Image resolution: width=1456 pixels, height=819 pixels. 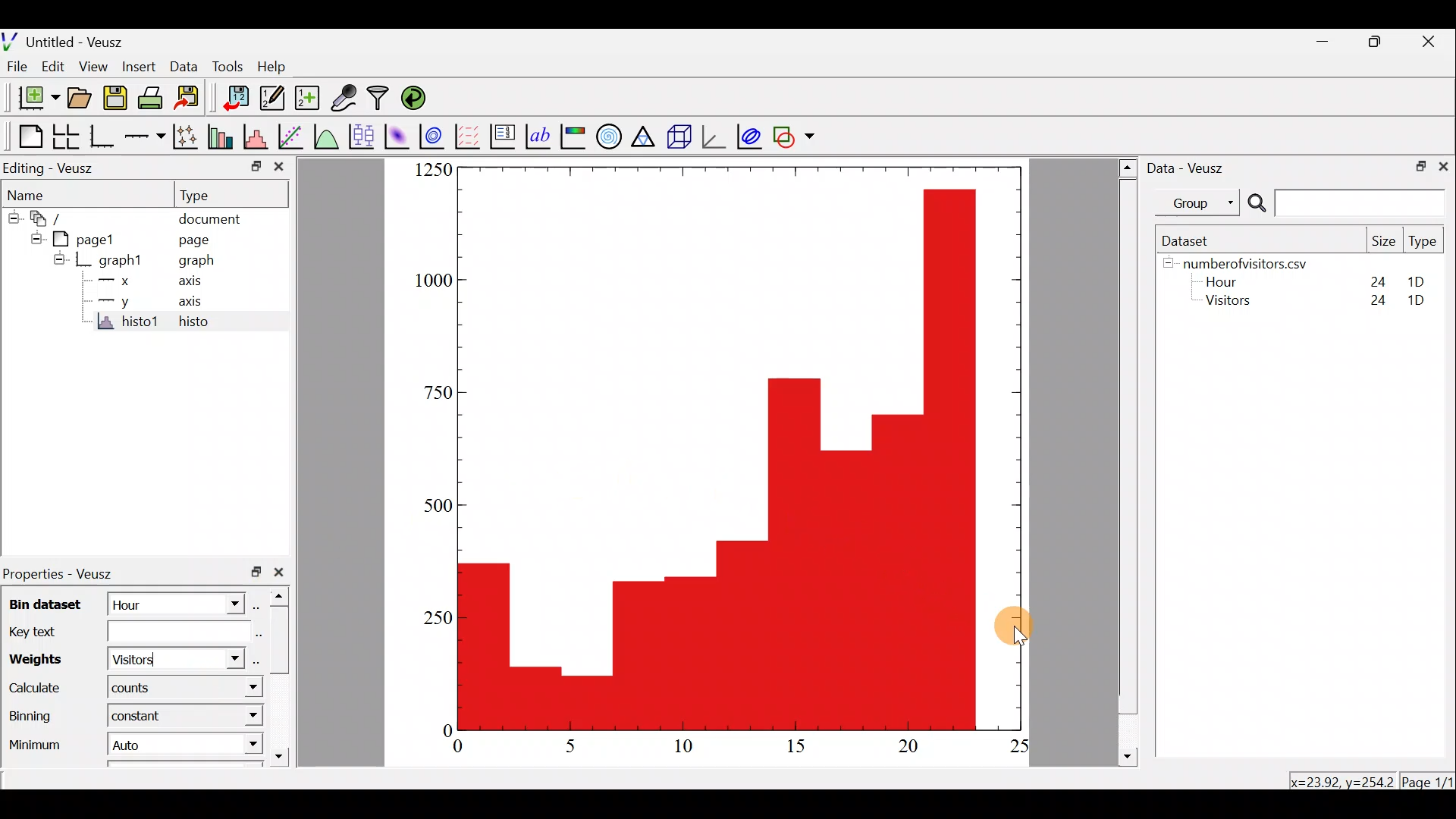 What do you see at coordinates (1195, 171) in the screenshot?
I see `Data - Veusz` at bounding box center [1195, 171].